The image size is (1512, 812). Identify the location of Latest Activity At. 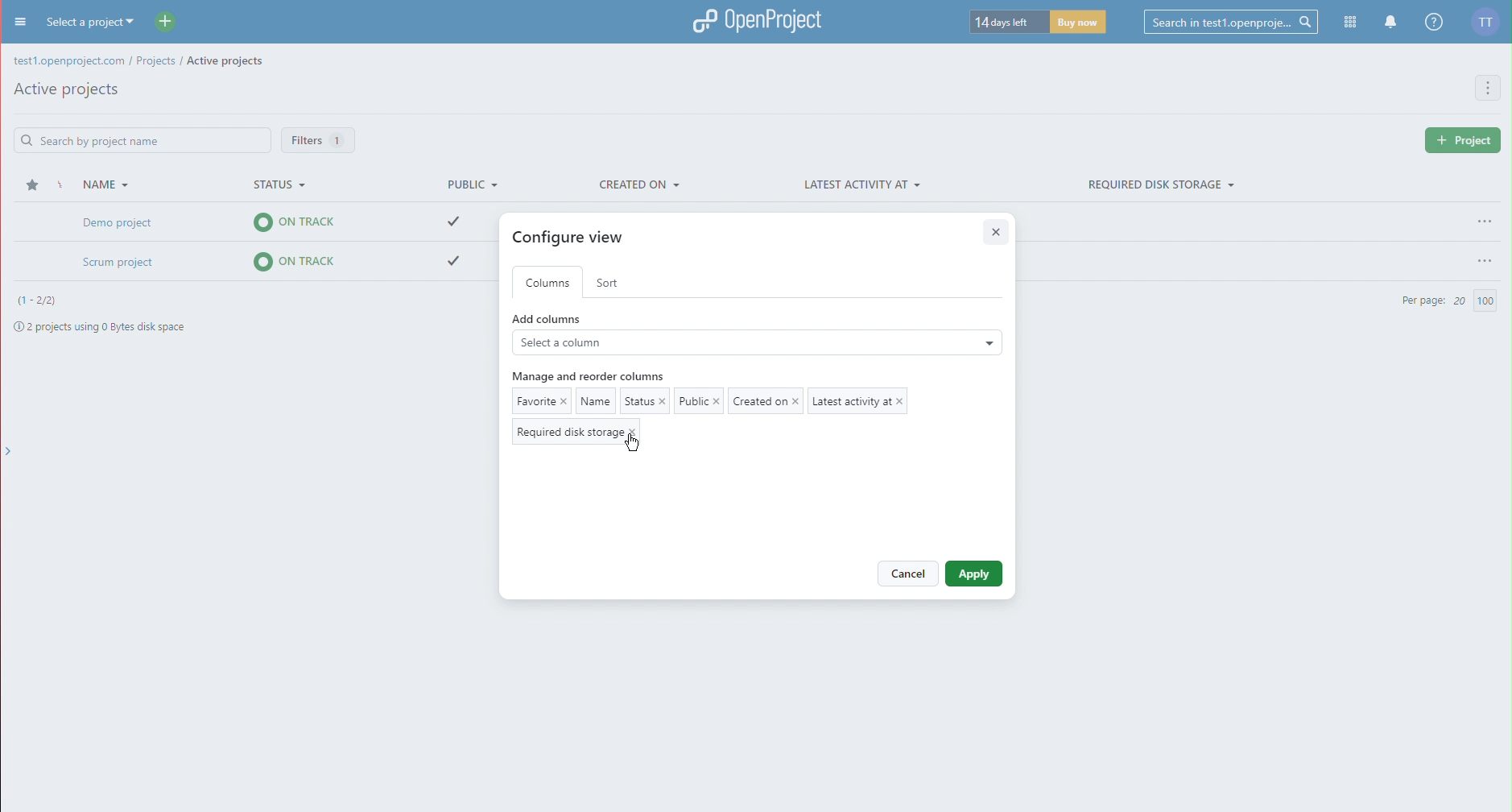
(862, 186).